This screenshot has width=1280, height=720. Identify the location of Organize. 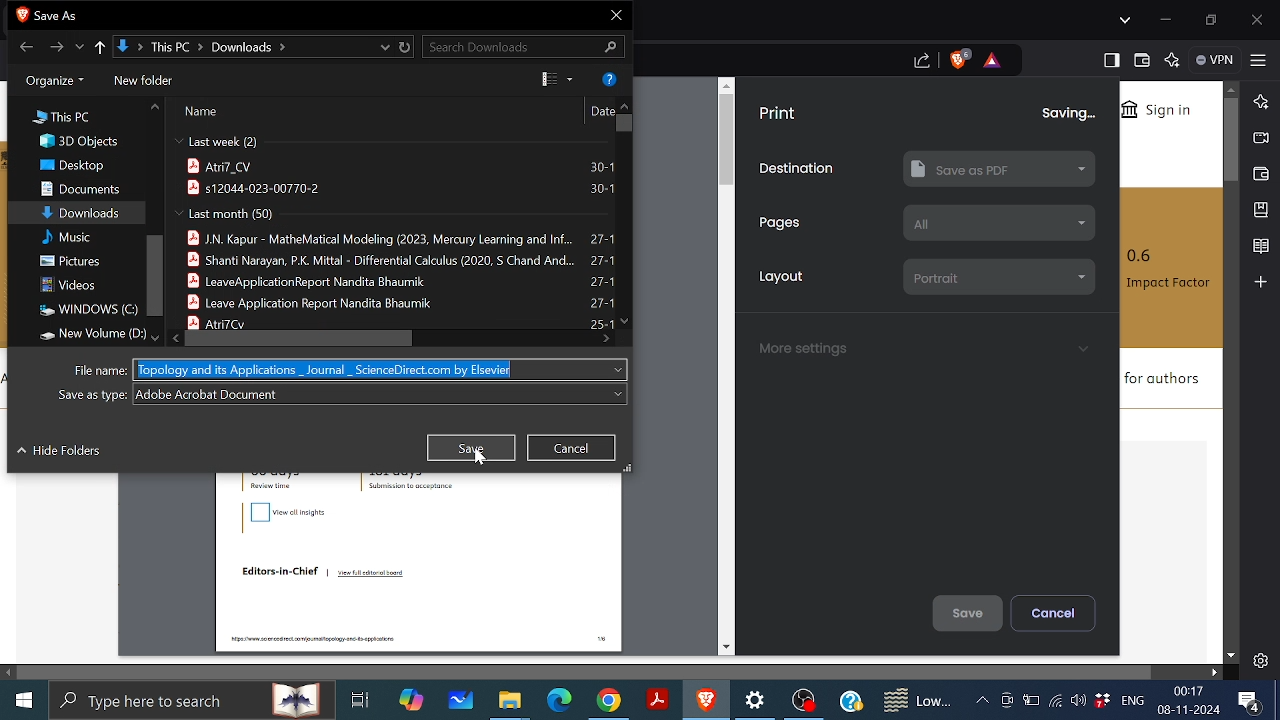
(55, 81).